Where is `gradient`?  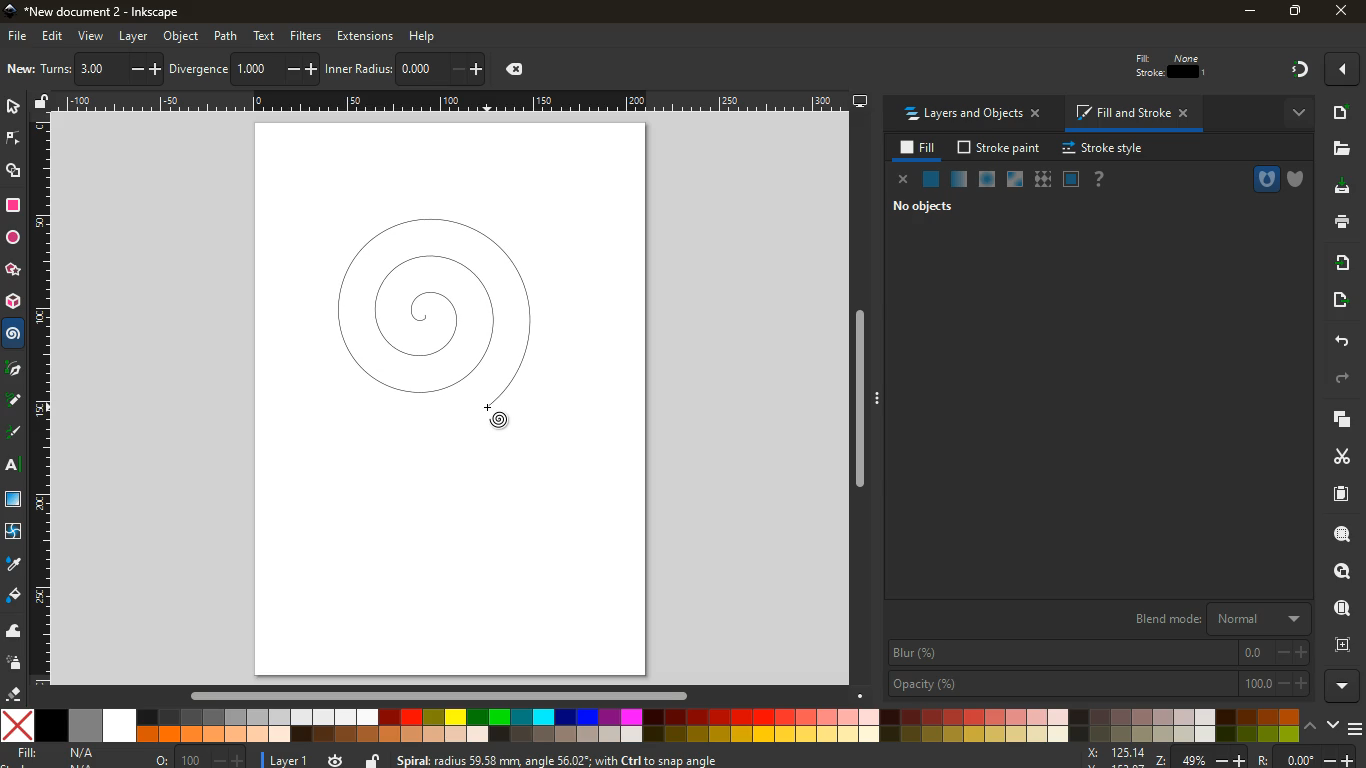
gradient is located at coordinates (1302, 70).